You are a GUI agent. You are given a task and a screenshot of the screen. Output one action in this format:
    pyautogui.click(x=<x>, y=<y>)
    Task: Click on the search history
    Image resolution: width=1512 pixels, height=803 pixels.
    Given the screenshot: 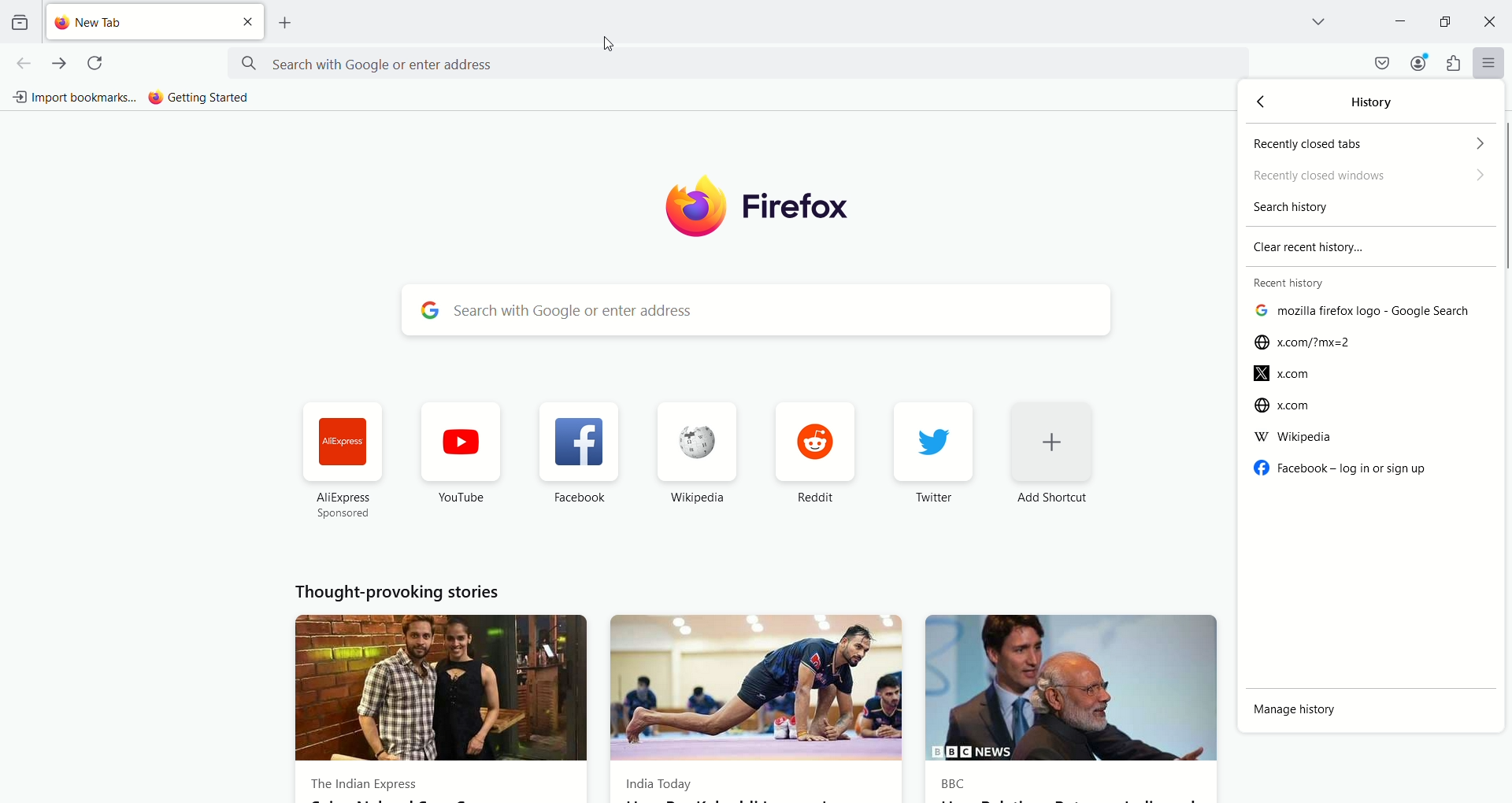 What is the action you would take?
    pyautogui.click(x=1374, y=213)
    